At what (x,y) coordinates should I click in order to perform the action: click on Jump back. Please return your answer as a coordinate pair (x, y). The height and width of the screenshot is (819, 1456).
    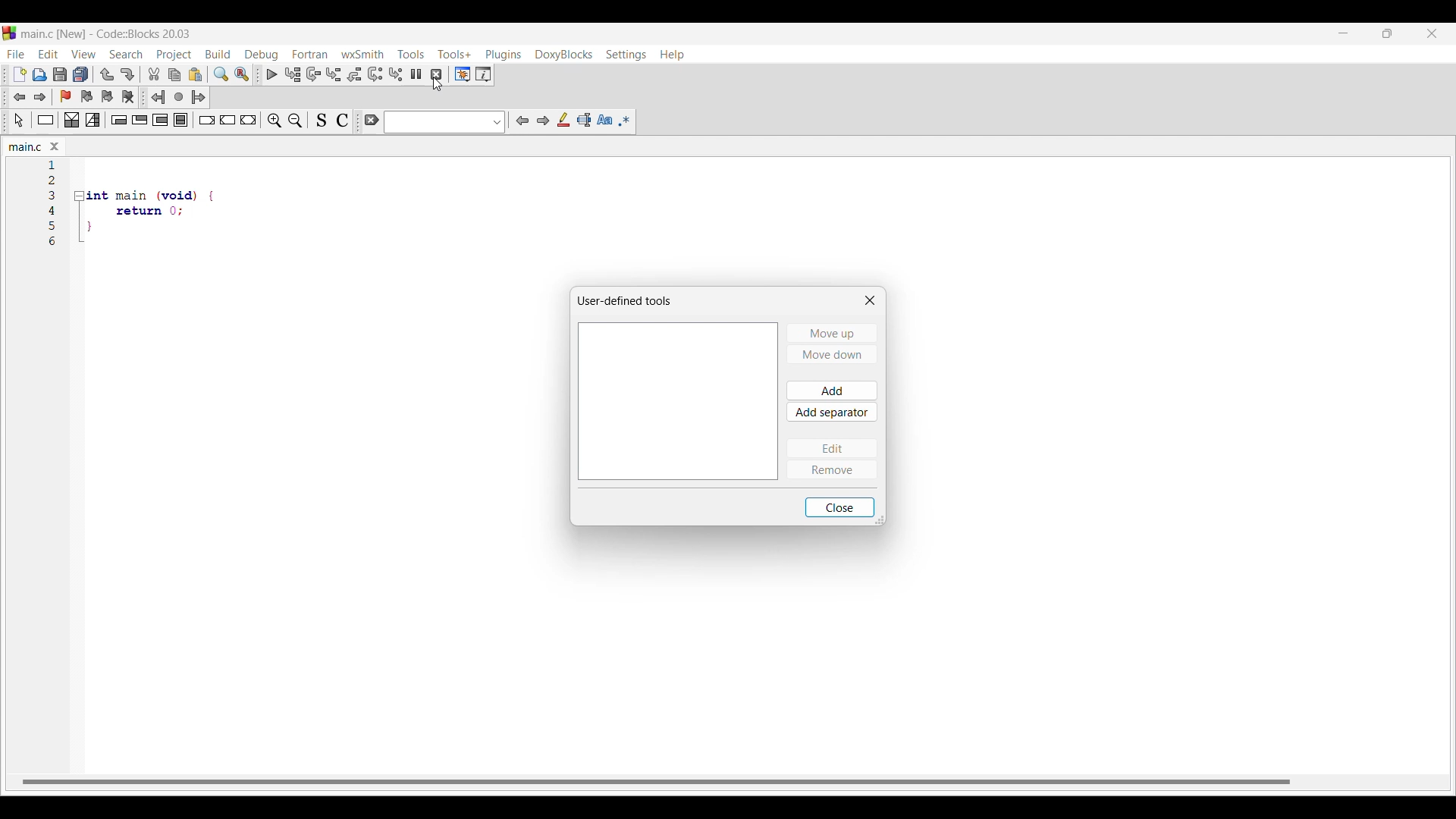
    Looking at the image, I should click on (20, 97).